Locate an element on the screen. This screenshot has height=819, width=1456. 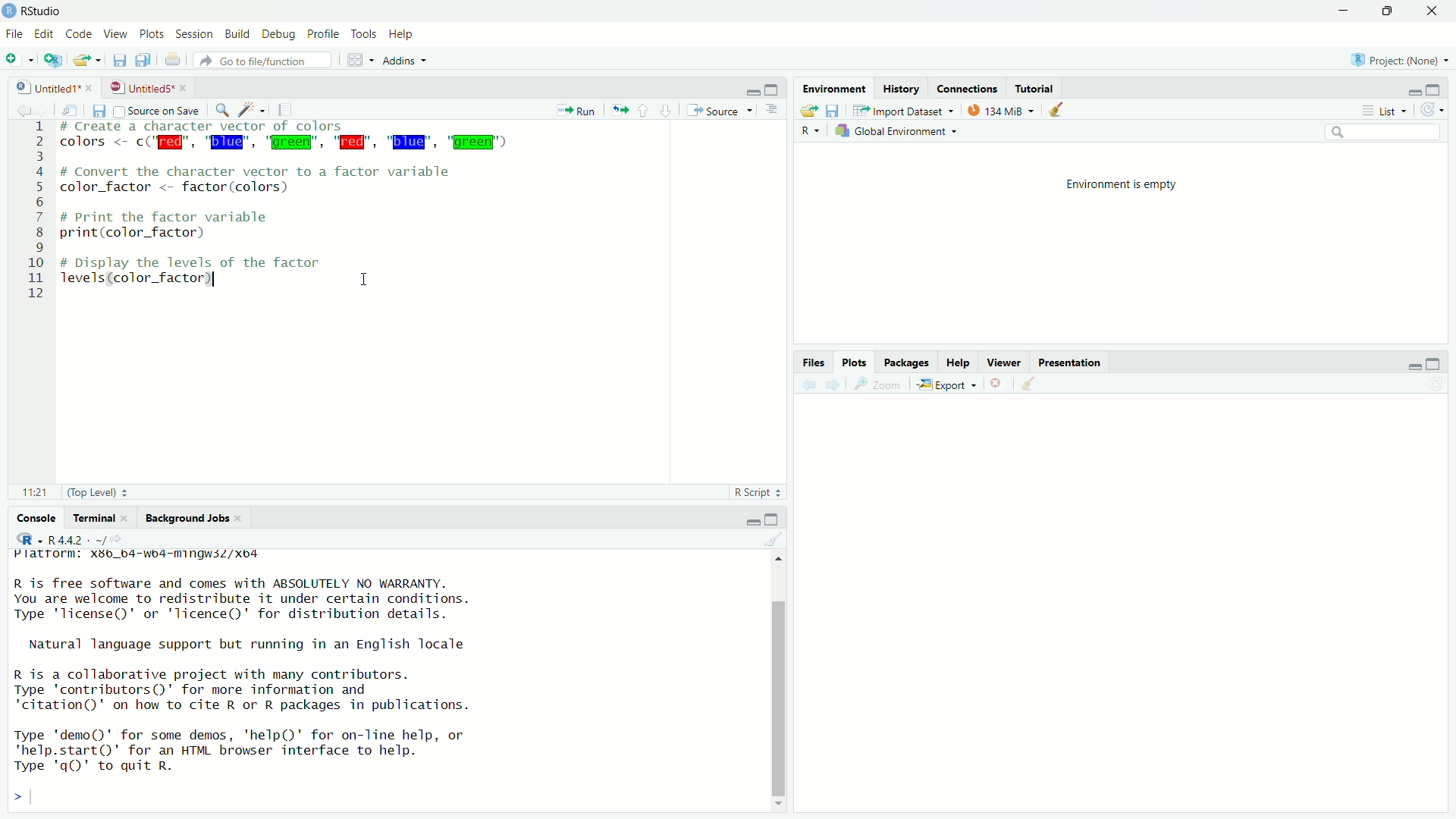
(top level) is located at coordinates (104, 492).